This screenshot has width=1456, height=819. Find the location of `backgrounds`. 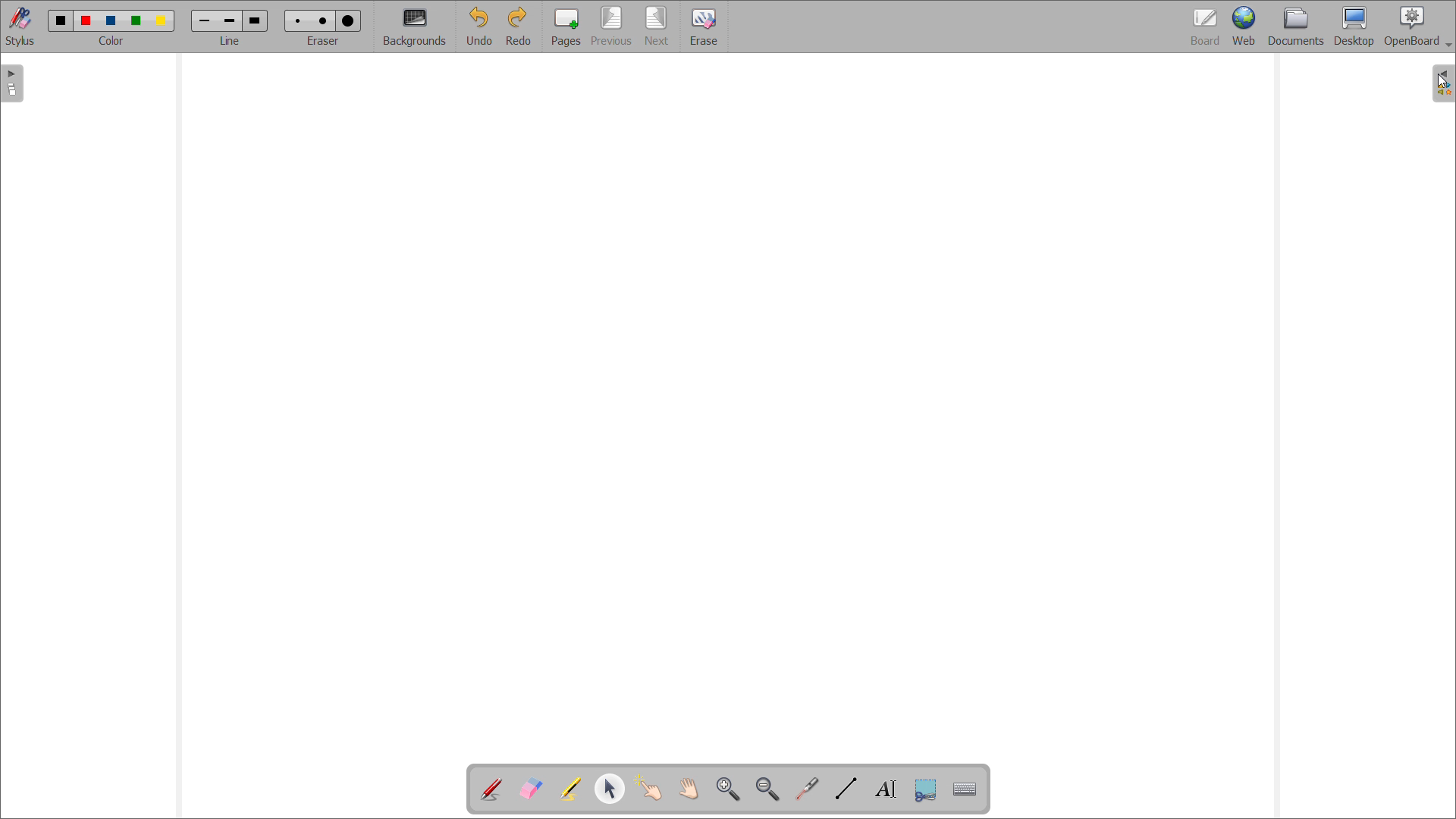

backgrounds is located at coordinates (416, 26).